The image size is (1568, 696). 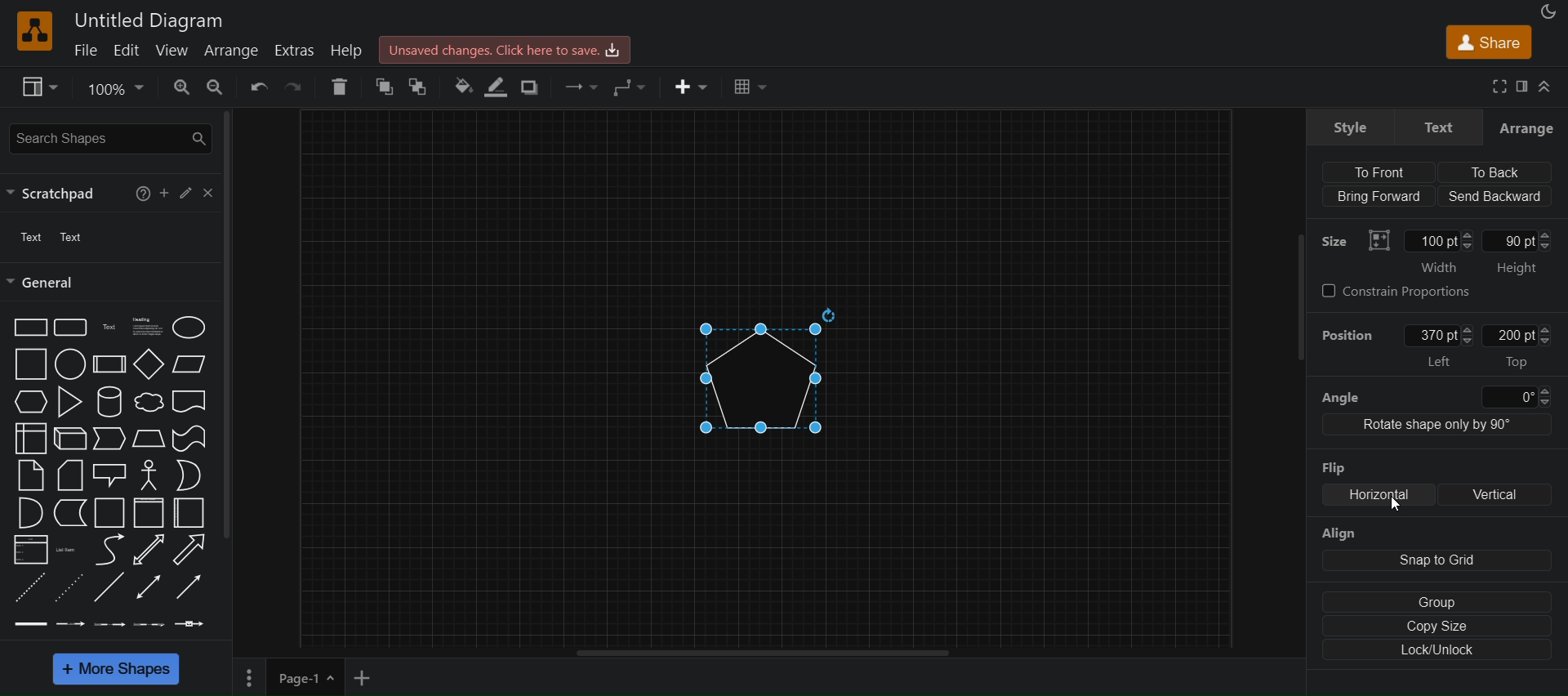 I want to click on Height, so click(x=1516, y=269).